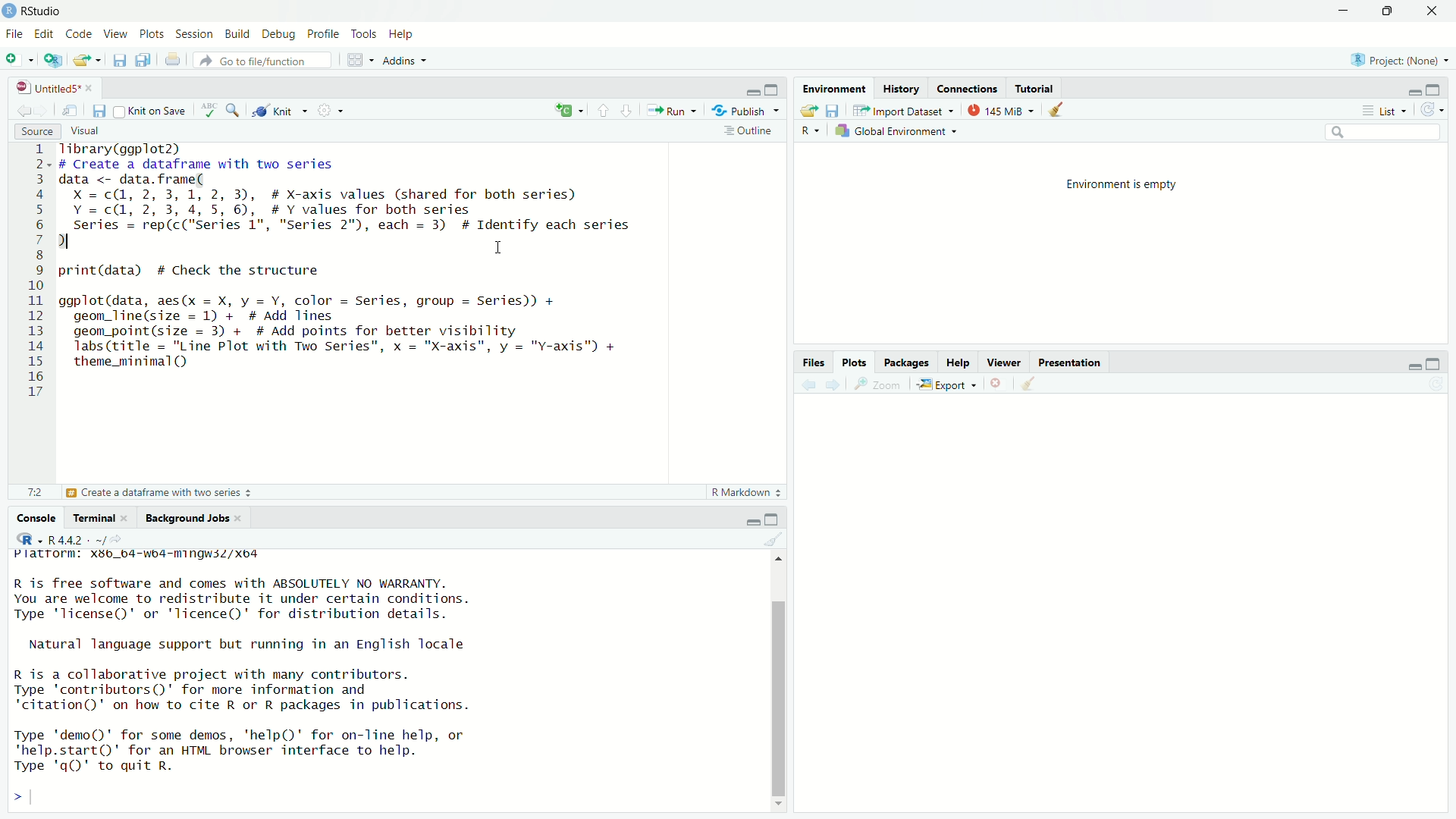  Describe the element at coordinates (999, 110) in the screenshot. I see ` 145 MB used by R studio` at that location.